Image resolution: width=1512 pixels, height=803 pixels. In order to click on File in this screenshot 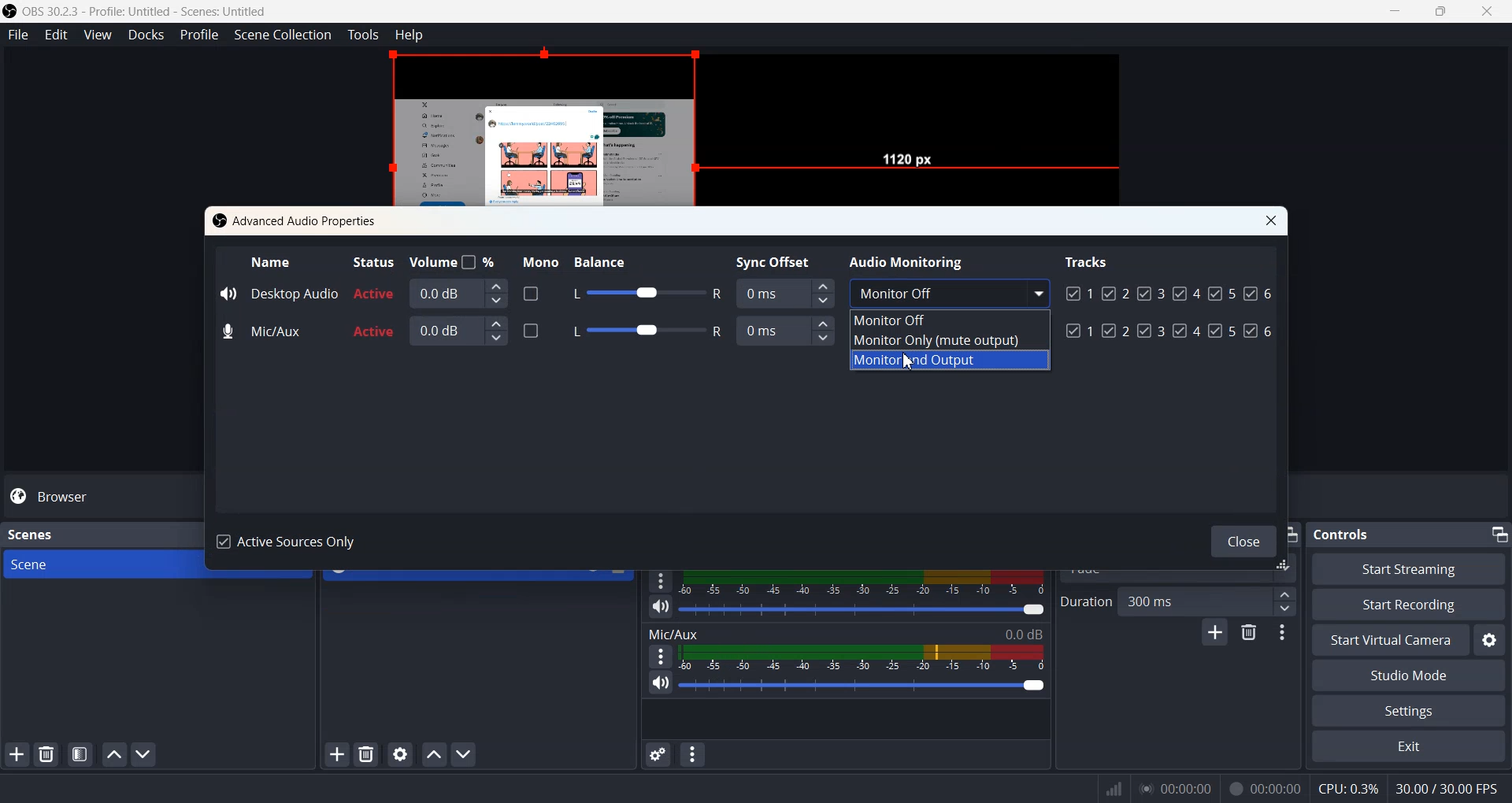, I will do `click(18, 35)`.